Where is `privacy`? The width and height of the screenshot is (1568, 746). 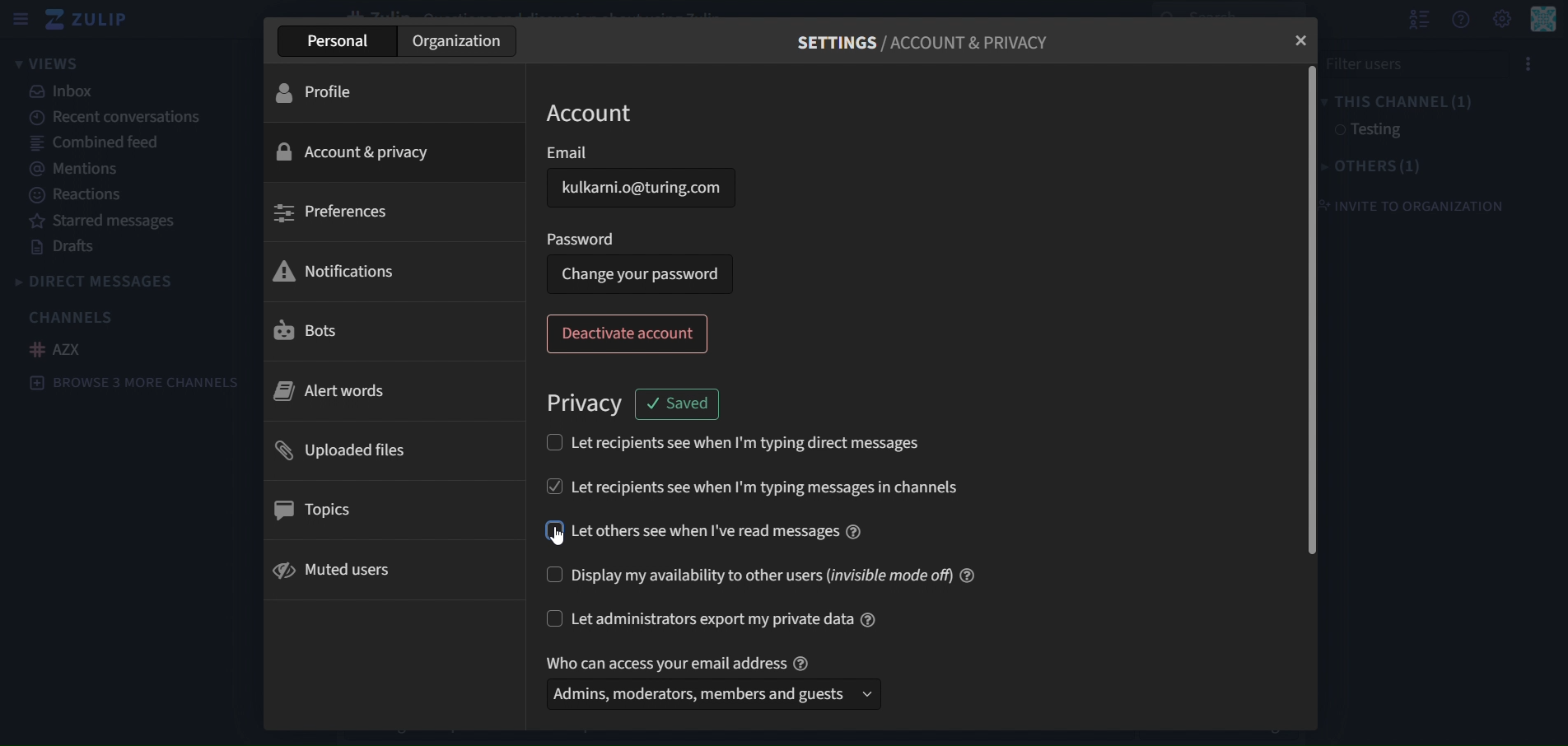
privacy is located at coordinates (588, 405).